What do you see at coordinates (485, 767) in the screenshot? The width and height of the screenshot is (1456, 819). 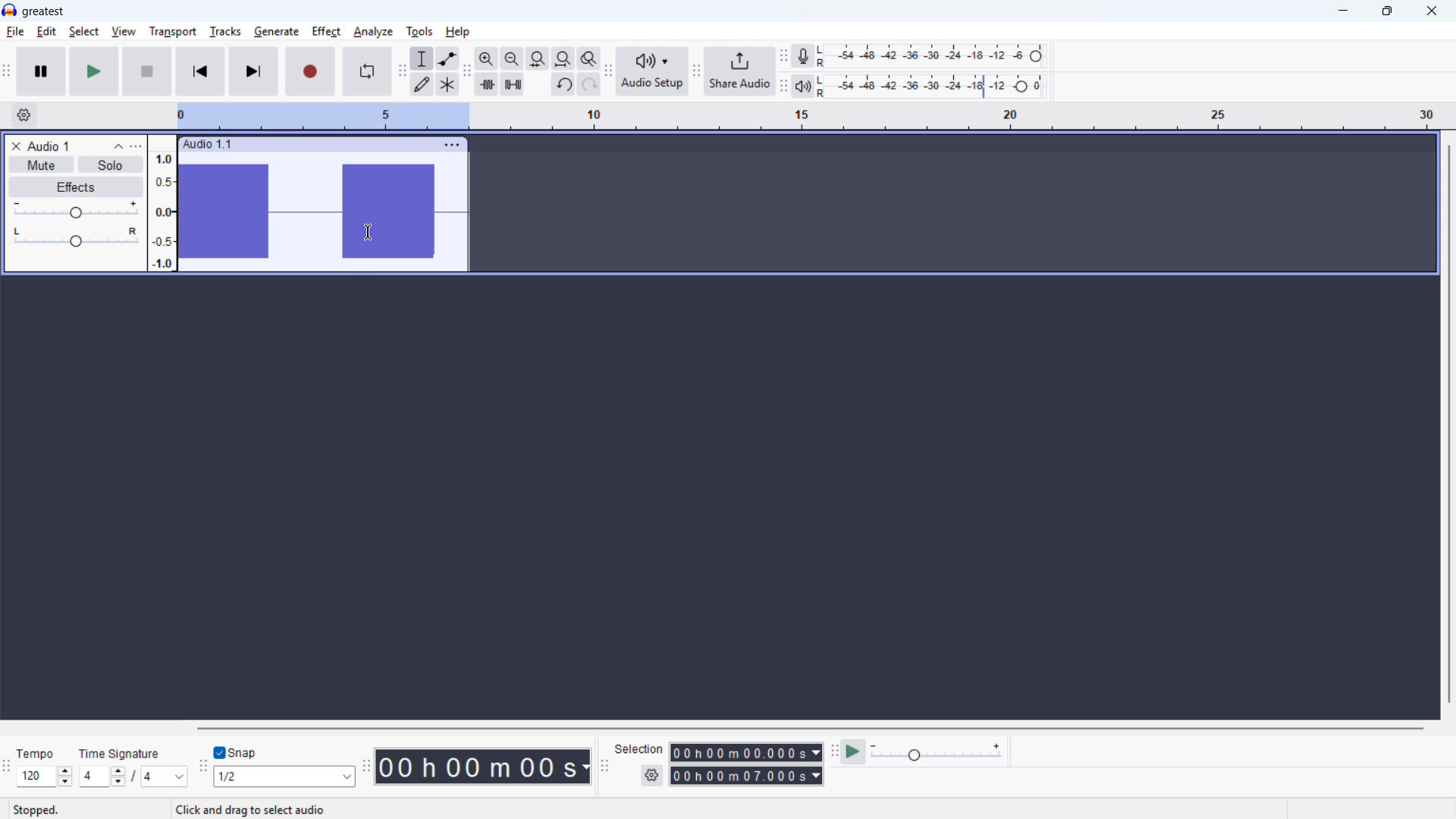 I see `Timestamp ` at bounding box center [485, 767].